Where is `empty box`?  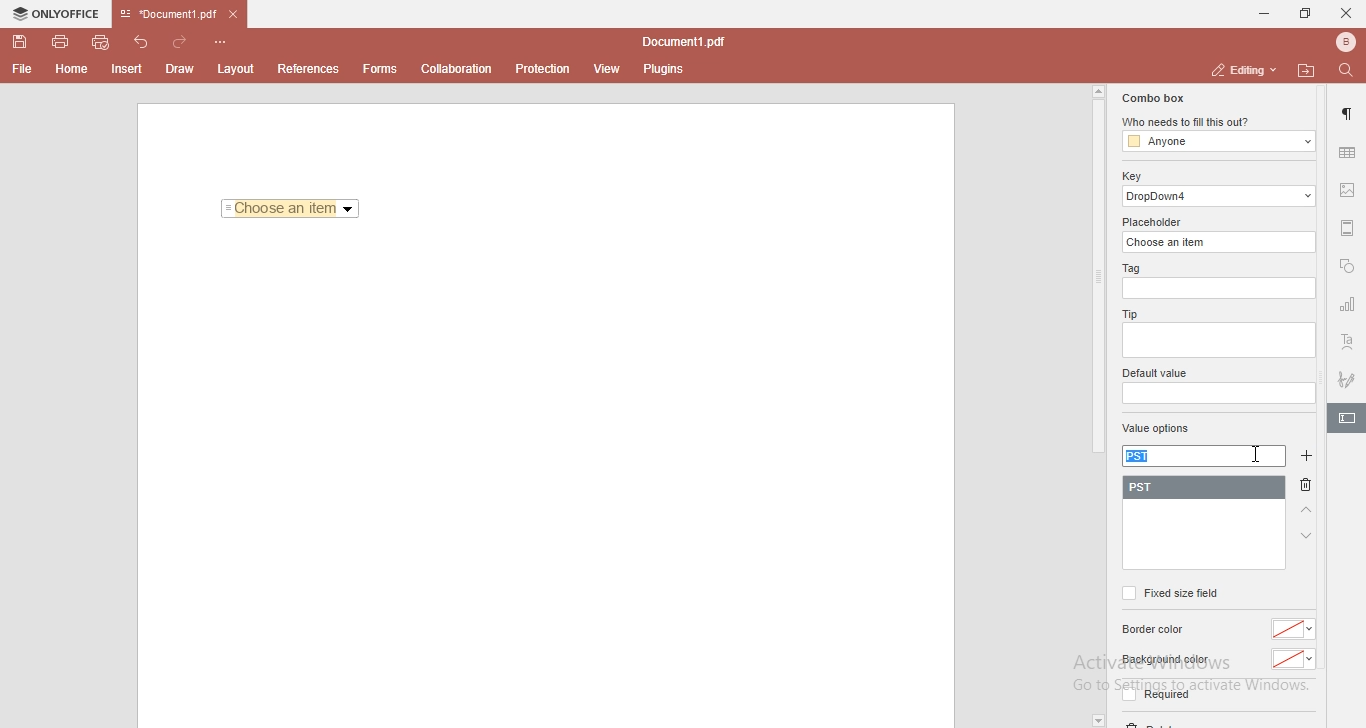 empty box is located at coordinates (1217, 394).